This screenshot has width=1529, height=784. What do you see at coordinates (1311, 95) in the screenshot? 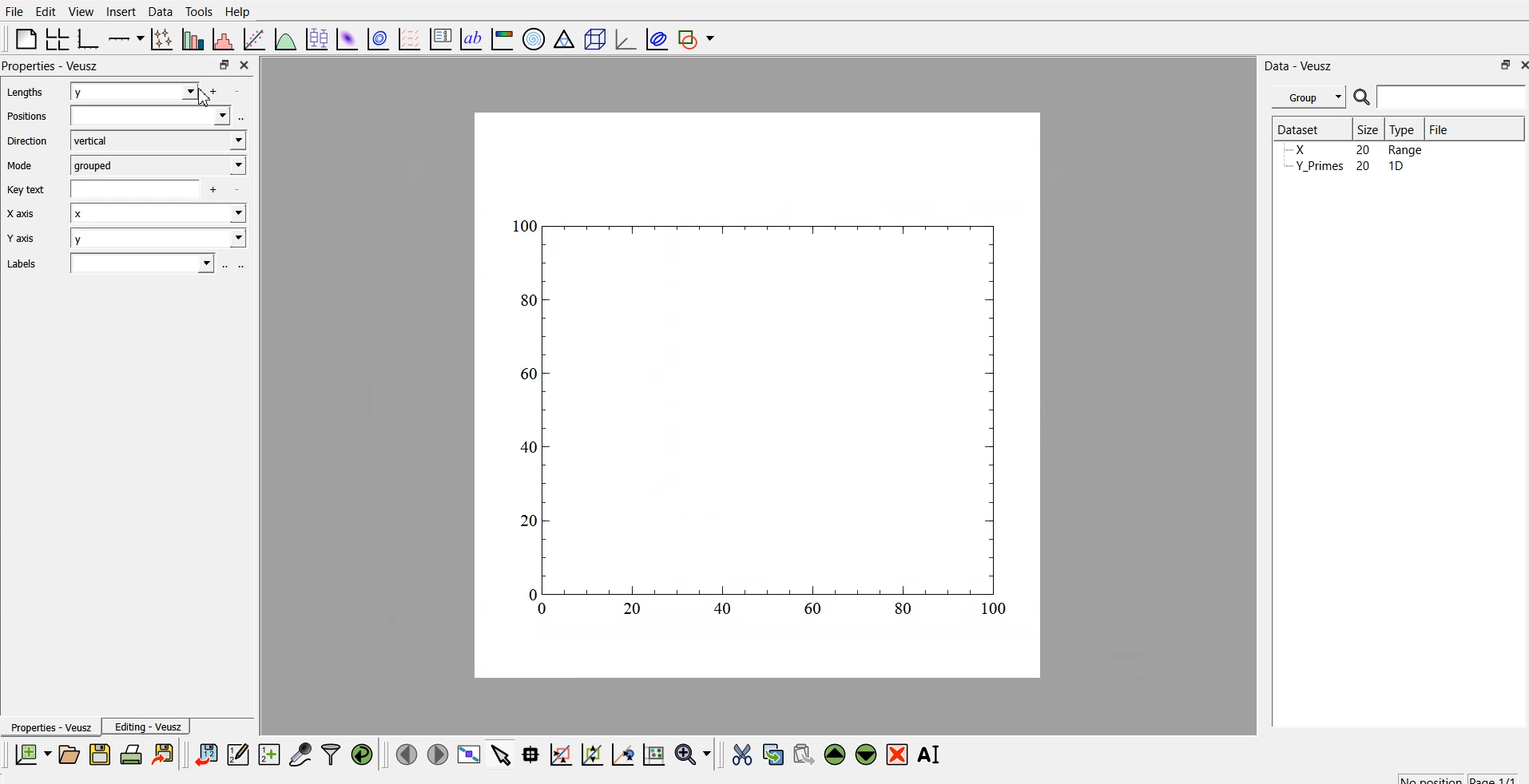
I see `Group` at bounding box center [1311, 95].